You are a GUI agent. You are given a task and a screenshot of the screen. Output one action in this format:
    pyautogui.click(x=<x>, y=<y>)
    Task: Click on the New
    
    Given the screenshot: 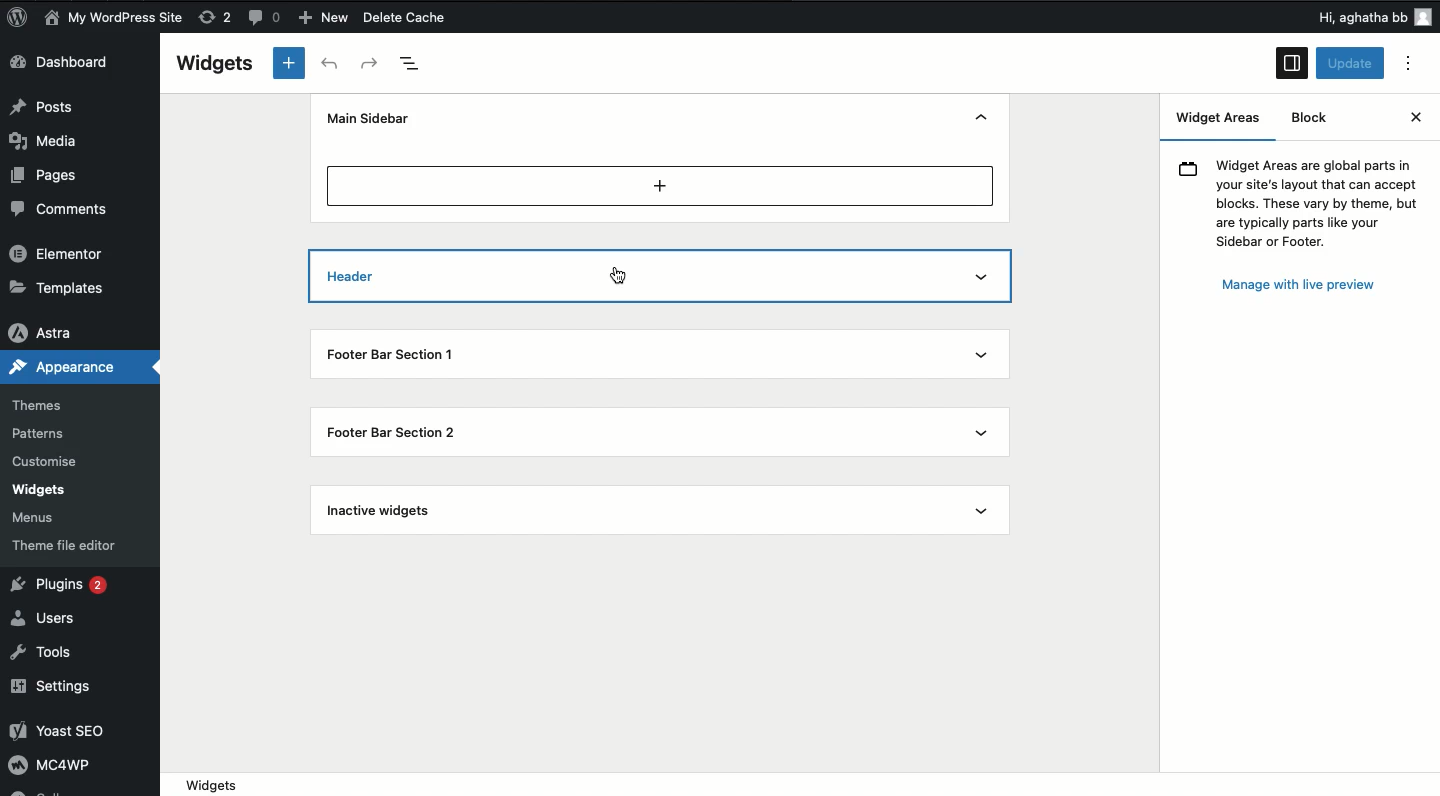 What is the action you would take?
    pyautogui.click(x=326, y=18)
    